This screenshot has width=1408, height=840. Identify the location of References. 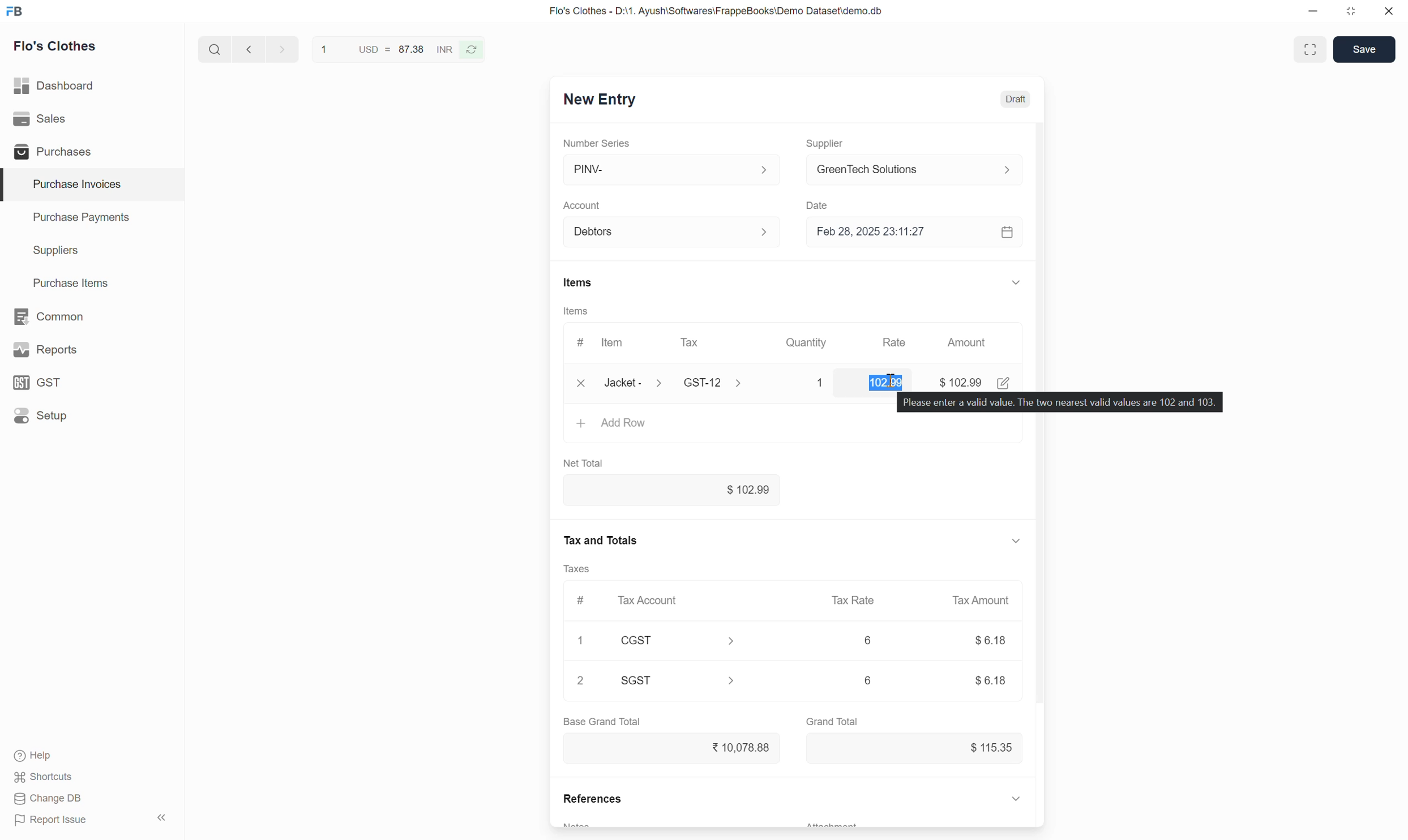
(592, 798).